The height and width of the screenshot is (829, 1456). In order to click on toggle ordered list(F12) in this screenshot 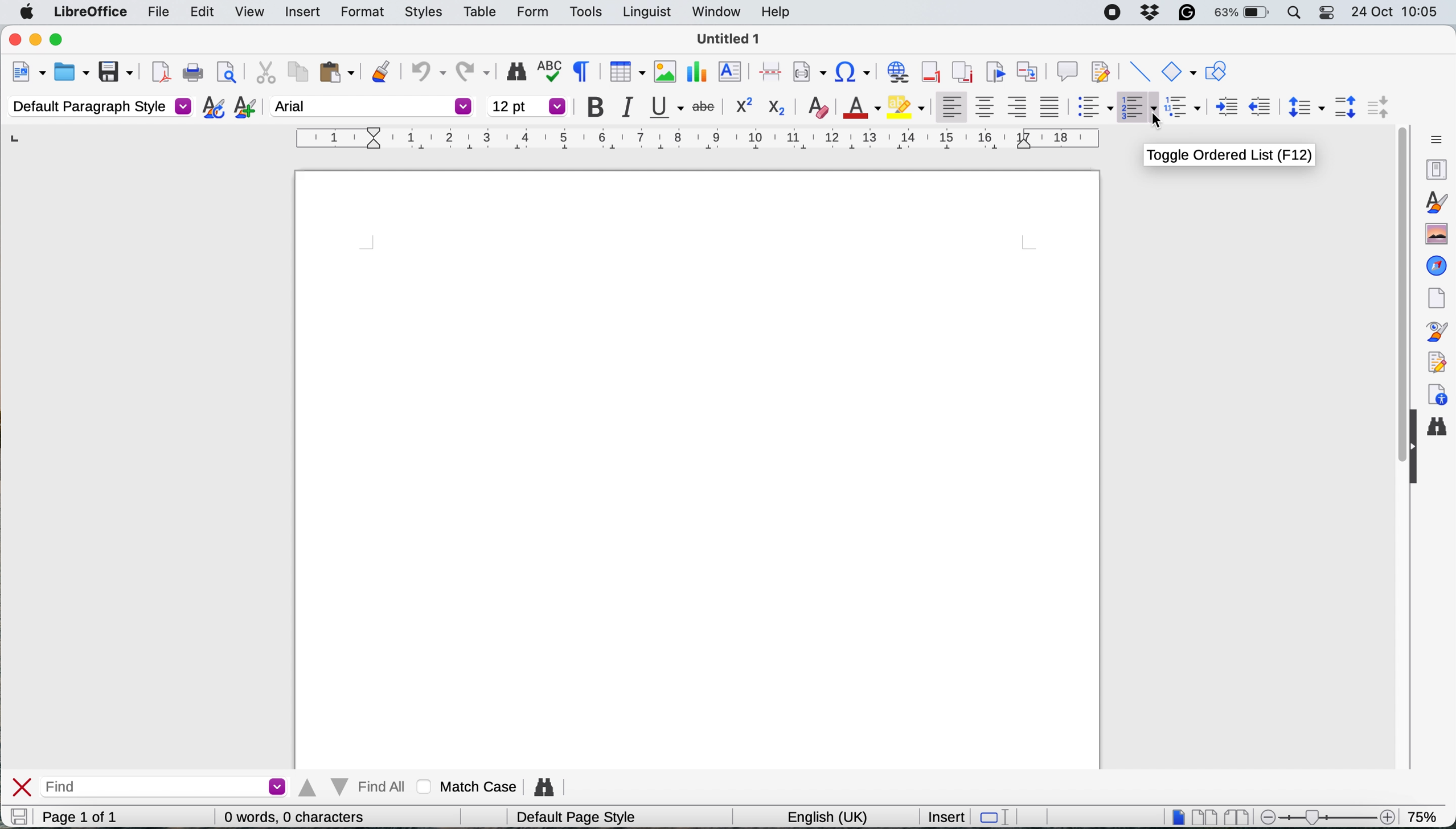, I will do `click(1232, 156)`.